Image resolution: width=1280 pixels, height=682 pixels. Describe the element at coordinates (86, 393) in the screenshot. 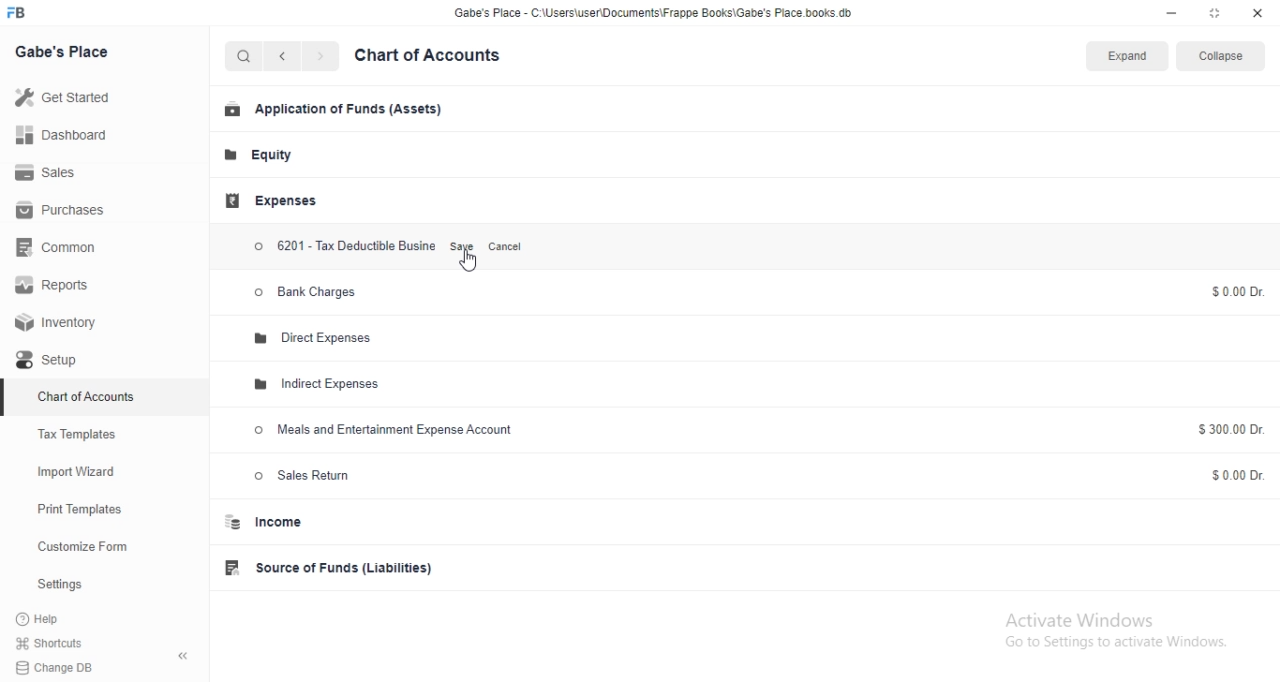

I see `Chart of Accounts.` at that location.